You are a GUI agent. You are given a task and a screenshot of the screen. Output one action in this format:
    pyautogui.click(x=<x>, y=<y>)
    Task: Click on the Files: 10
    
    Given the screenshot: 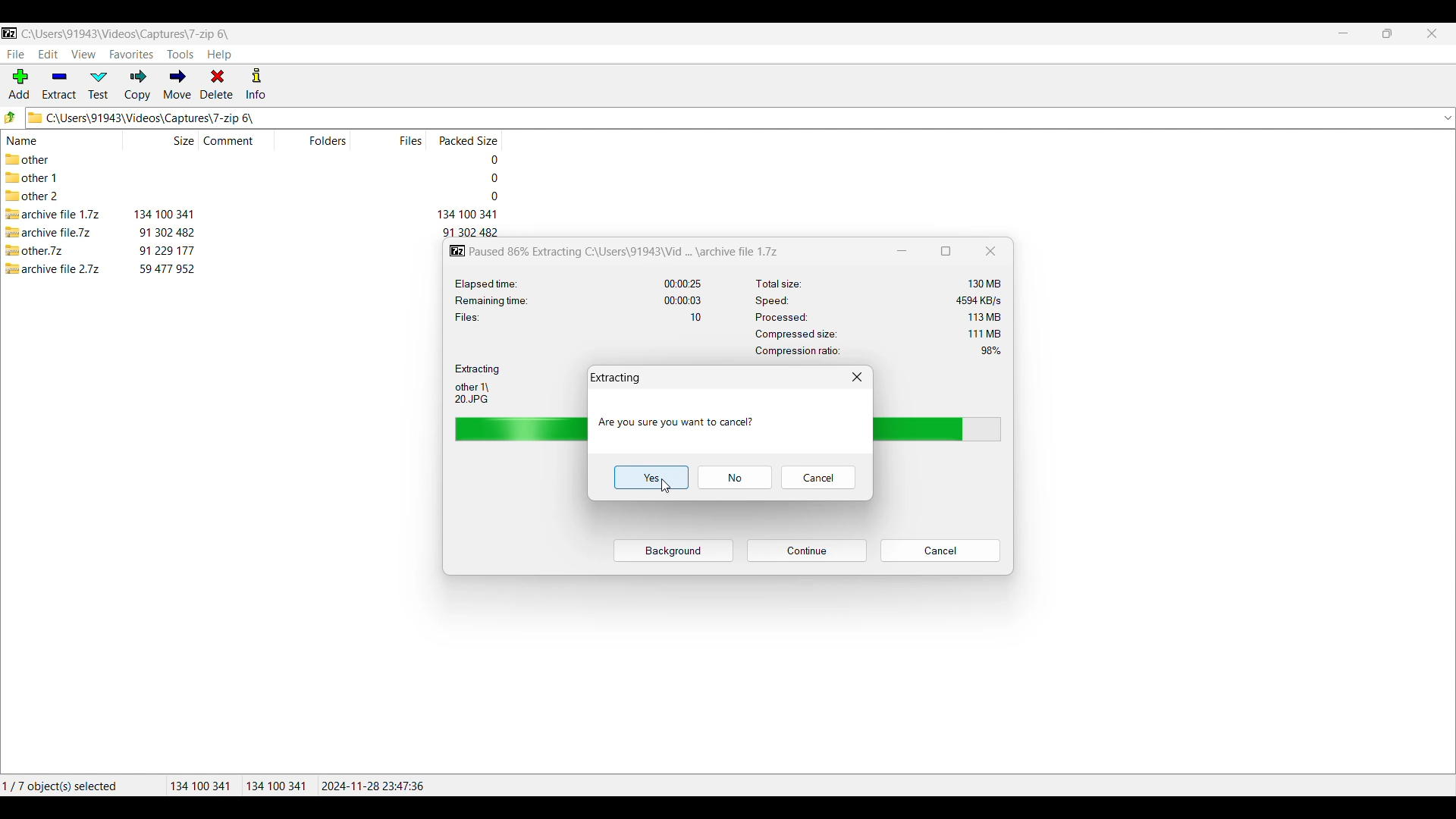 What is the action you would take?
    pyautogui.click(x=579, y=317)
    